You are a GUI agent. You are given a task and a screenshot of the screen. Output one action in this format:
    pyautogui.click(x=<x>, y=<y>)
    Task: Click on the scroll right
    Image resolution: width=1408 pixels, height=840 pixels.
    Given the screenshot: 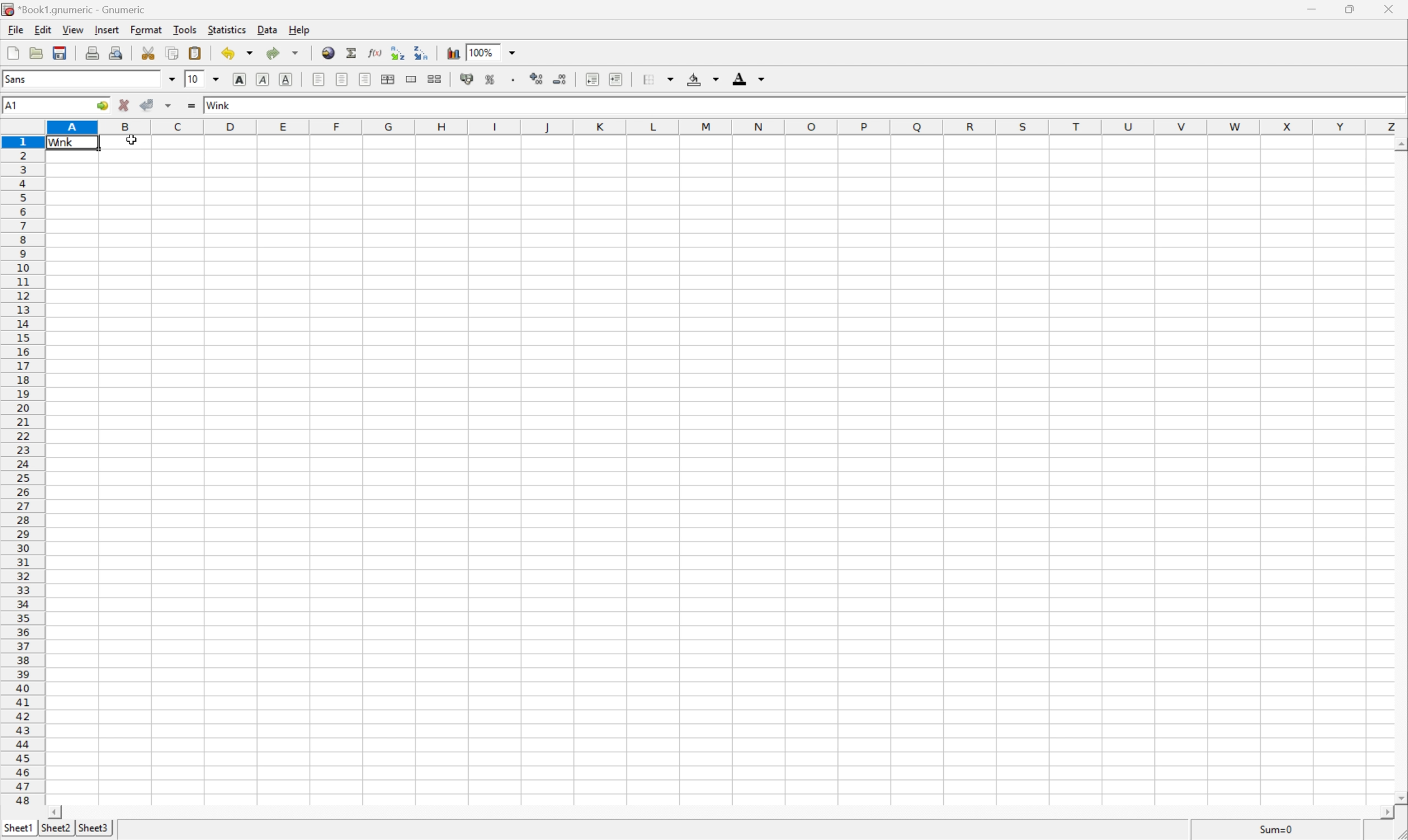 What is the action you would take?
    pyautogui.click(x=53, y=811)
    